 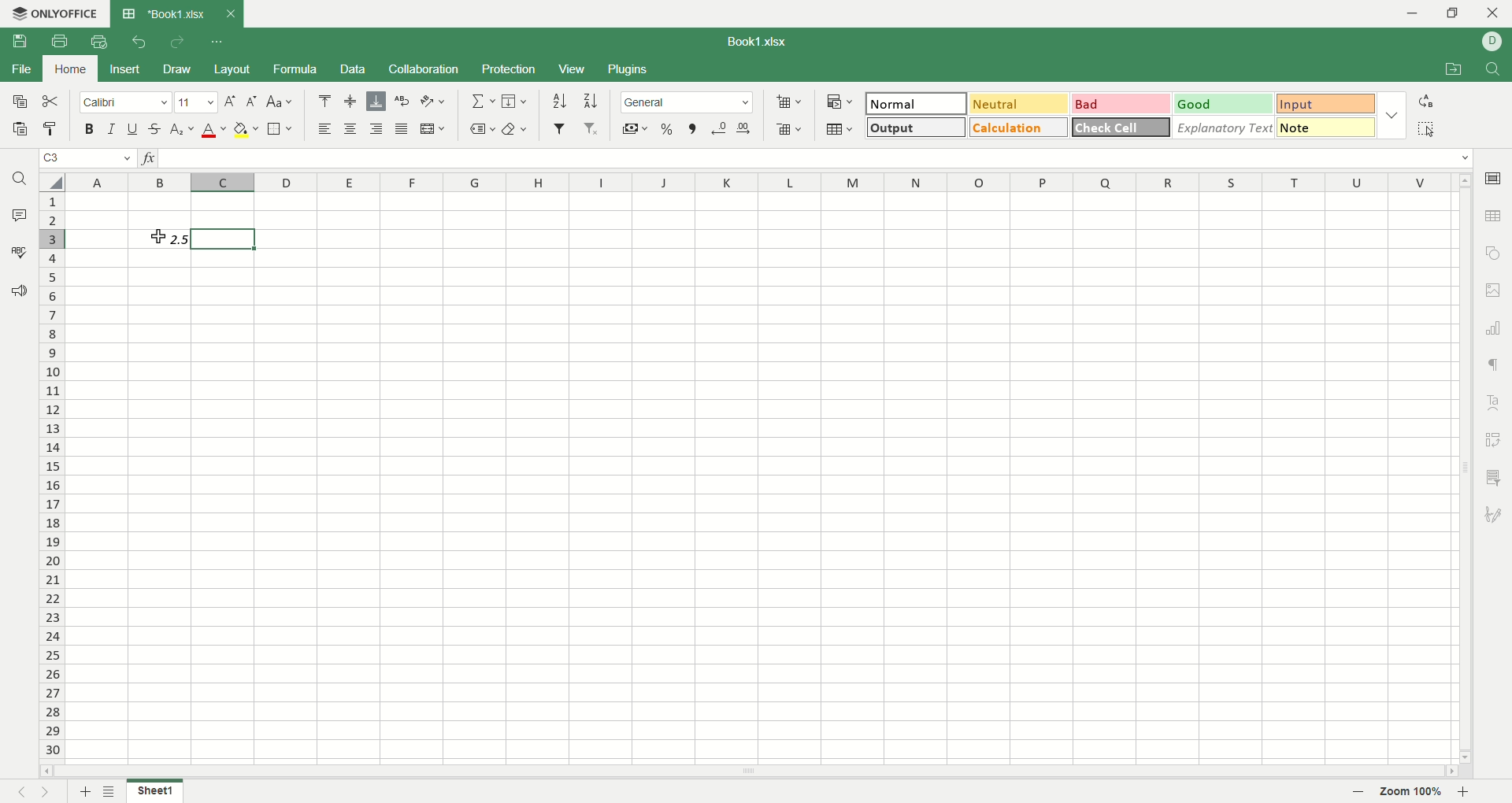 What do you see at coordinates (788, 130) in the screenshot?
I see `delete cell` at bounding box center [788, 130].